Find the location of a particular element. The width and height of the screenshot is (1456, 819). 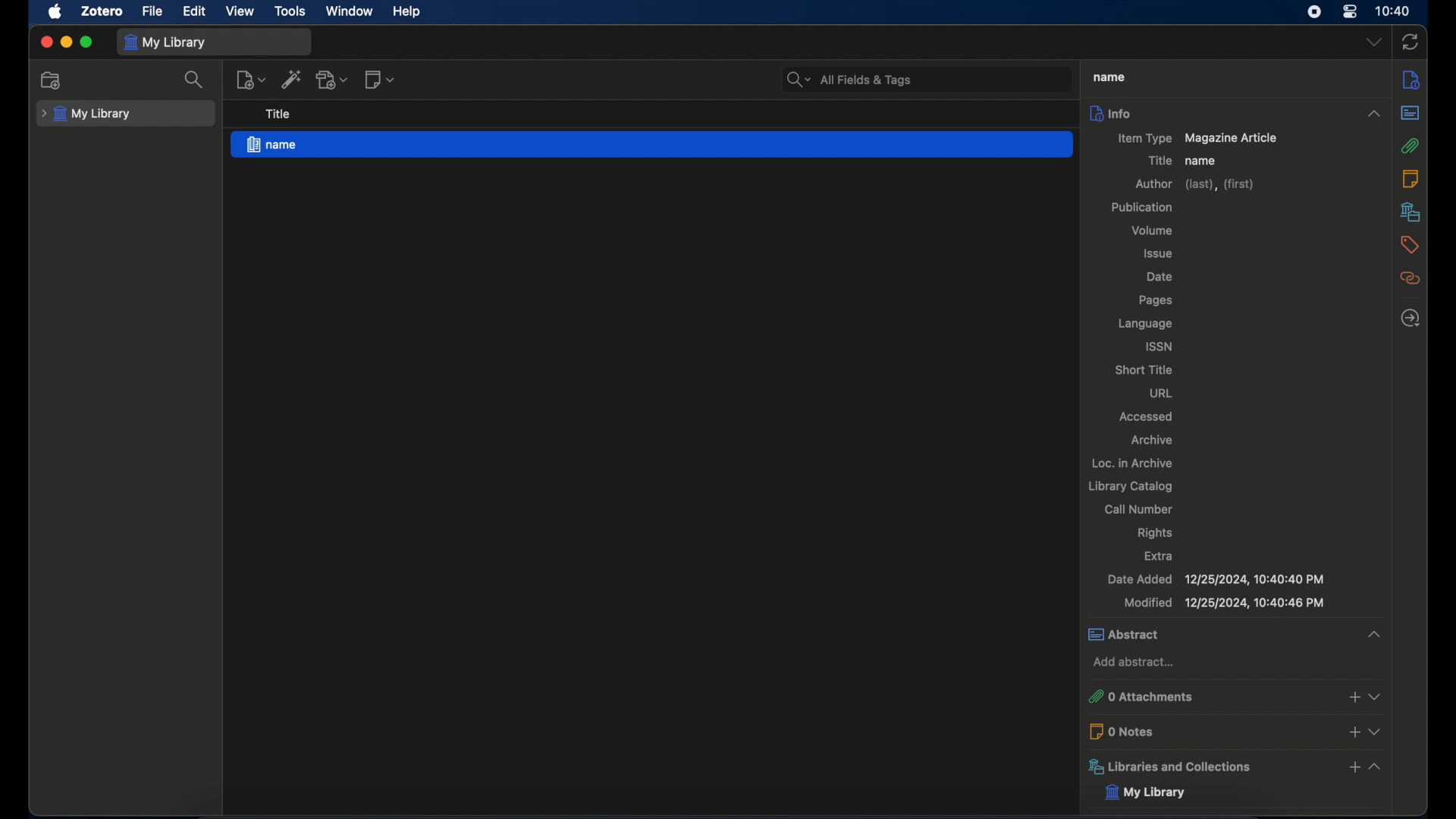

my library is located at coordinates (86, 115).